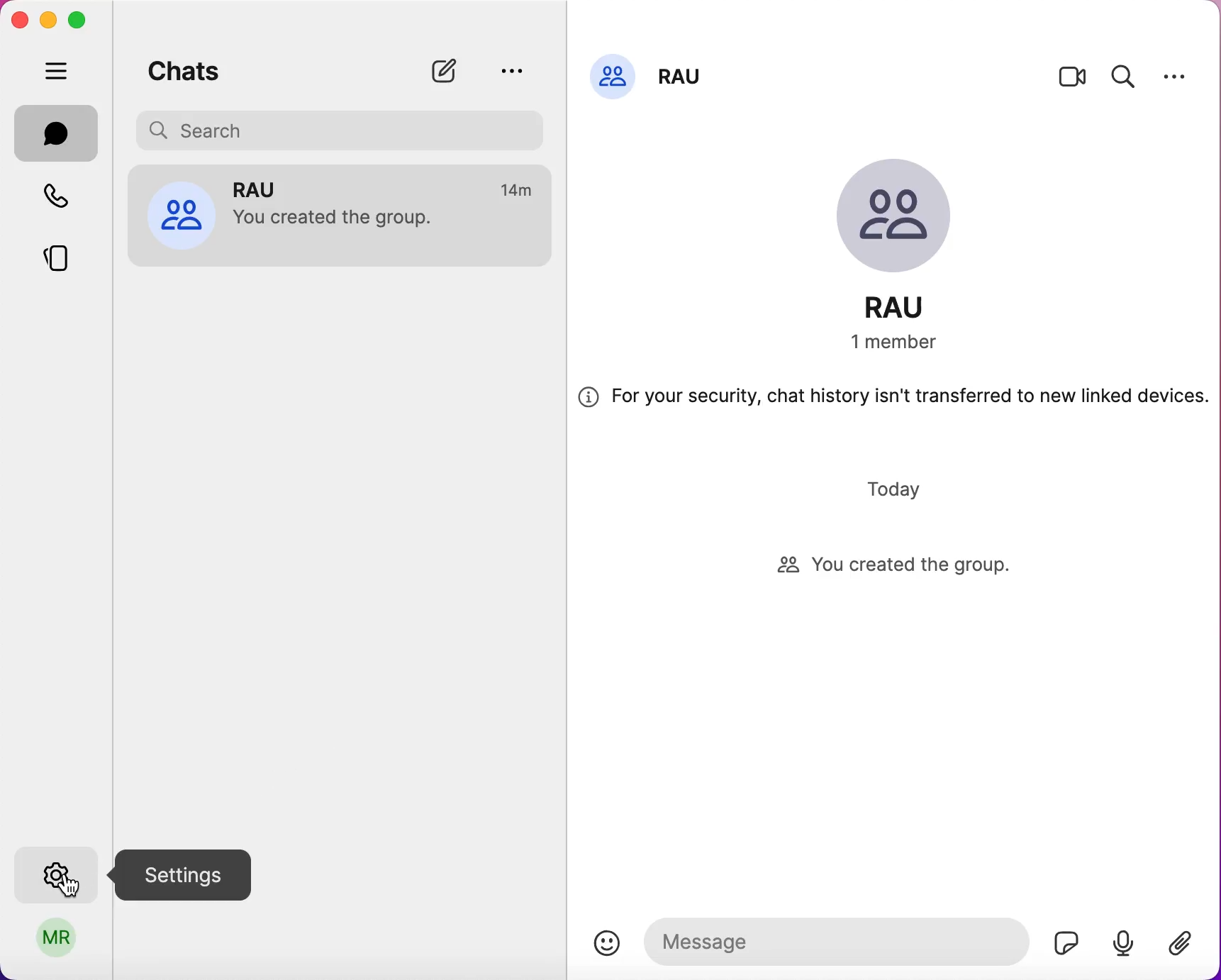 The image size is (1221, 980). I want to click on group, so click(338, 186).